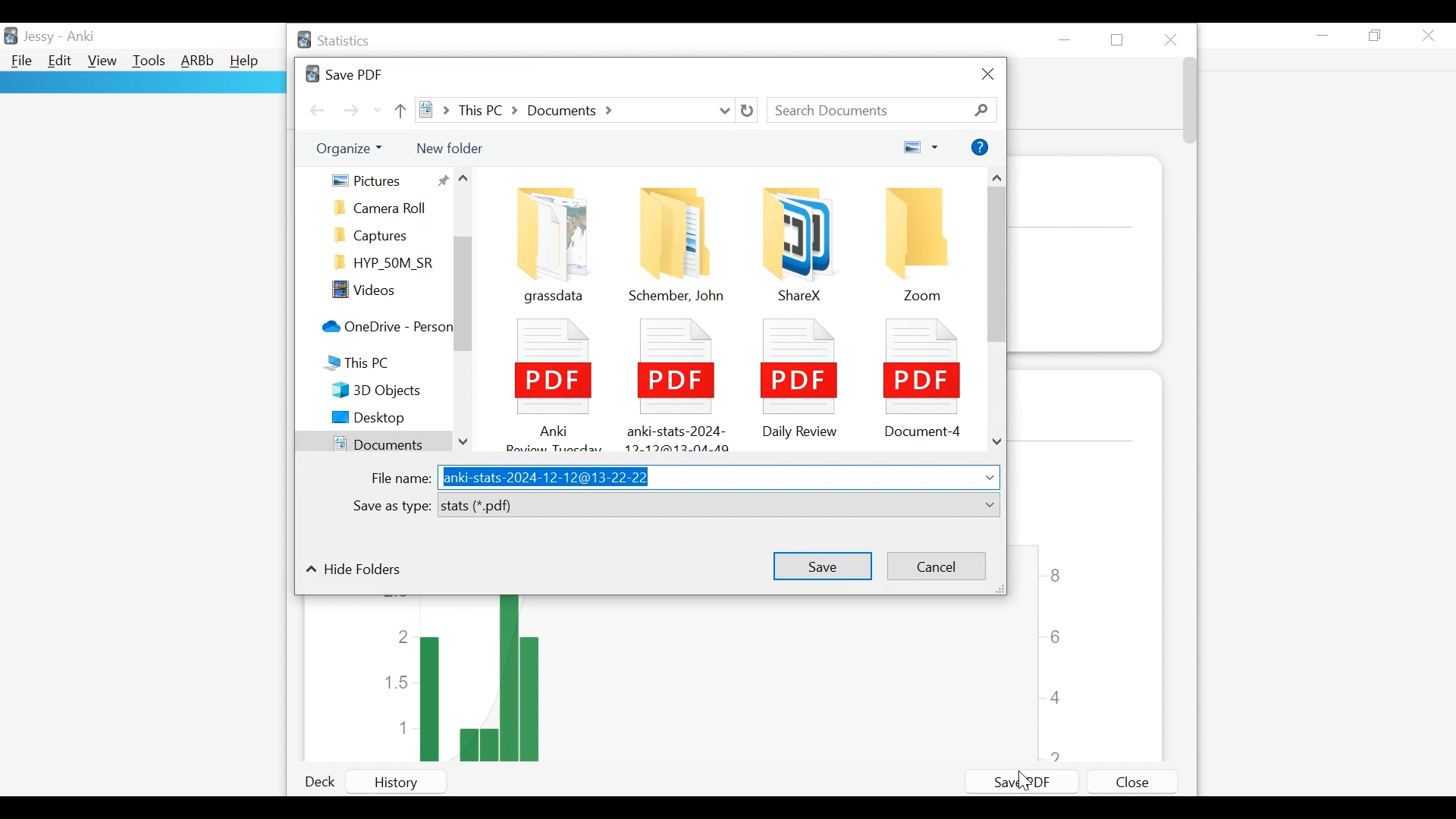 The image size is (1456, 819). I want to click on Close, so click(1429, 35).